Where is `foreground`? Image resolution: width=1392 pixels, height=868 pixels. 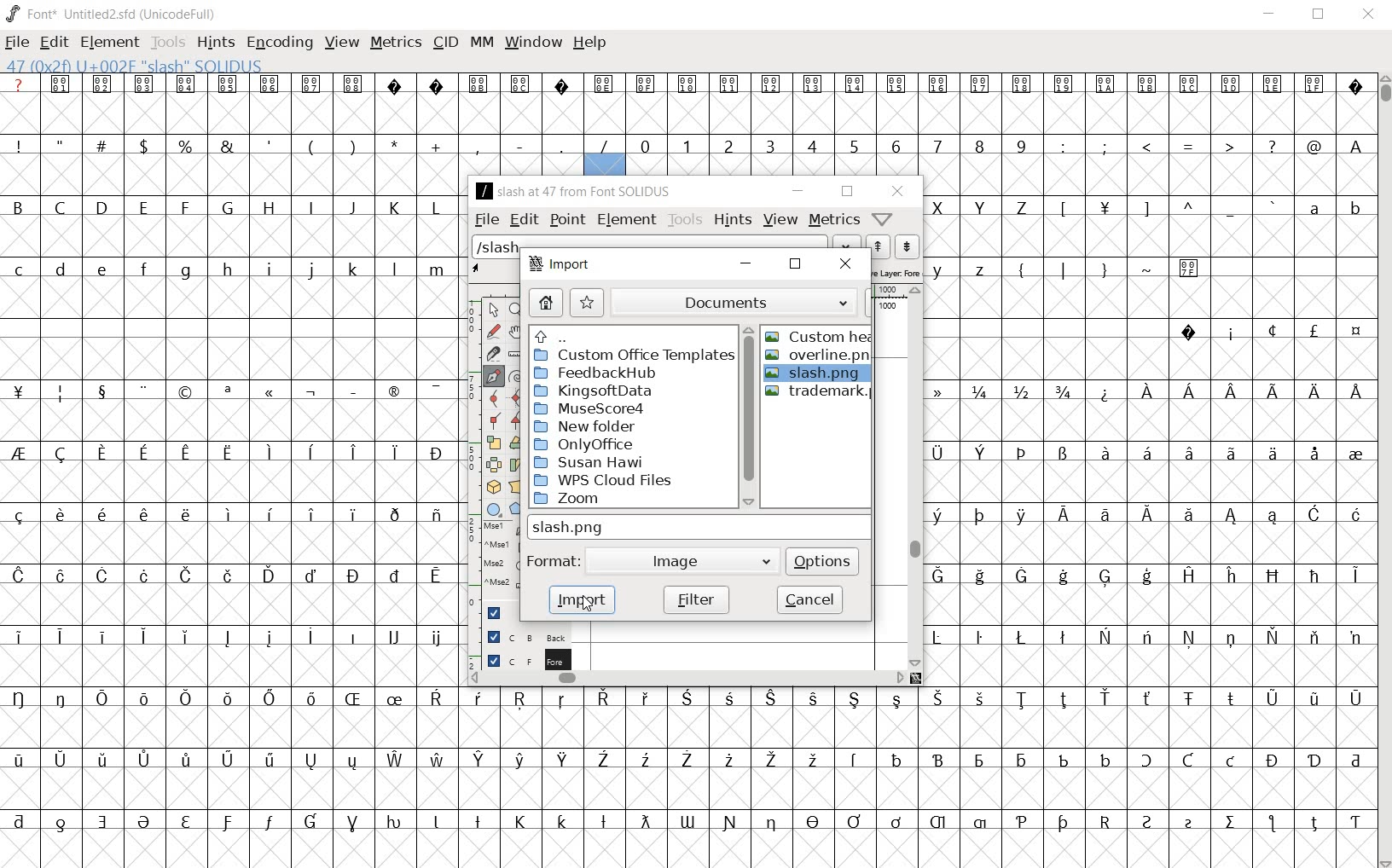
foreground is located at coordinates (520, 658).